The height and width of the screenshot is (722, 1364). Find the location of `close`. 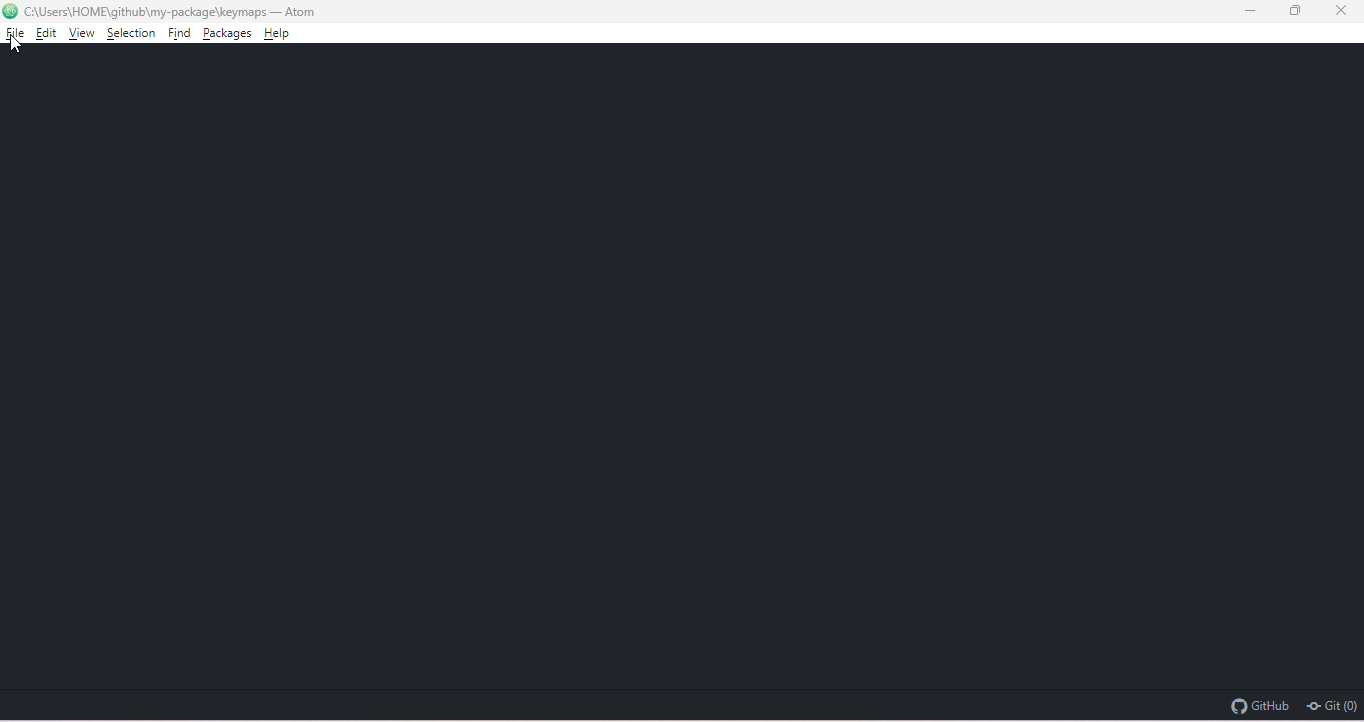

close is located at coordinates (1346, 13).